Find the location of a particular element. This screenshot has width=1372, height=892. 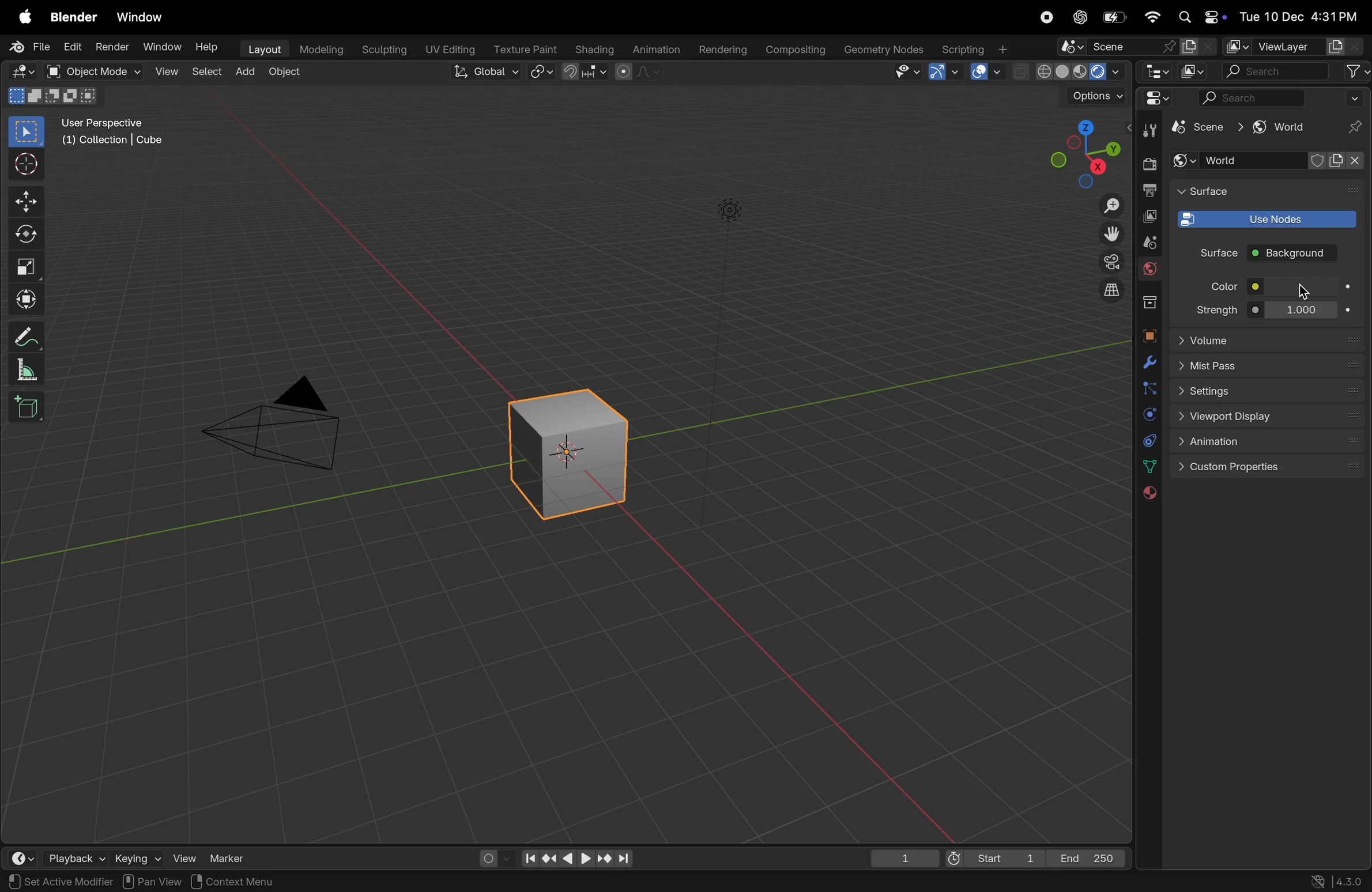

material is located at coordinates (1148, 494).